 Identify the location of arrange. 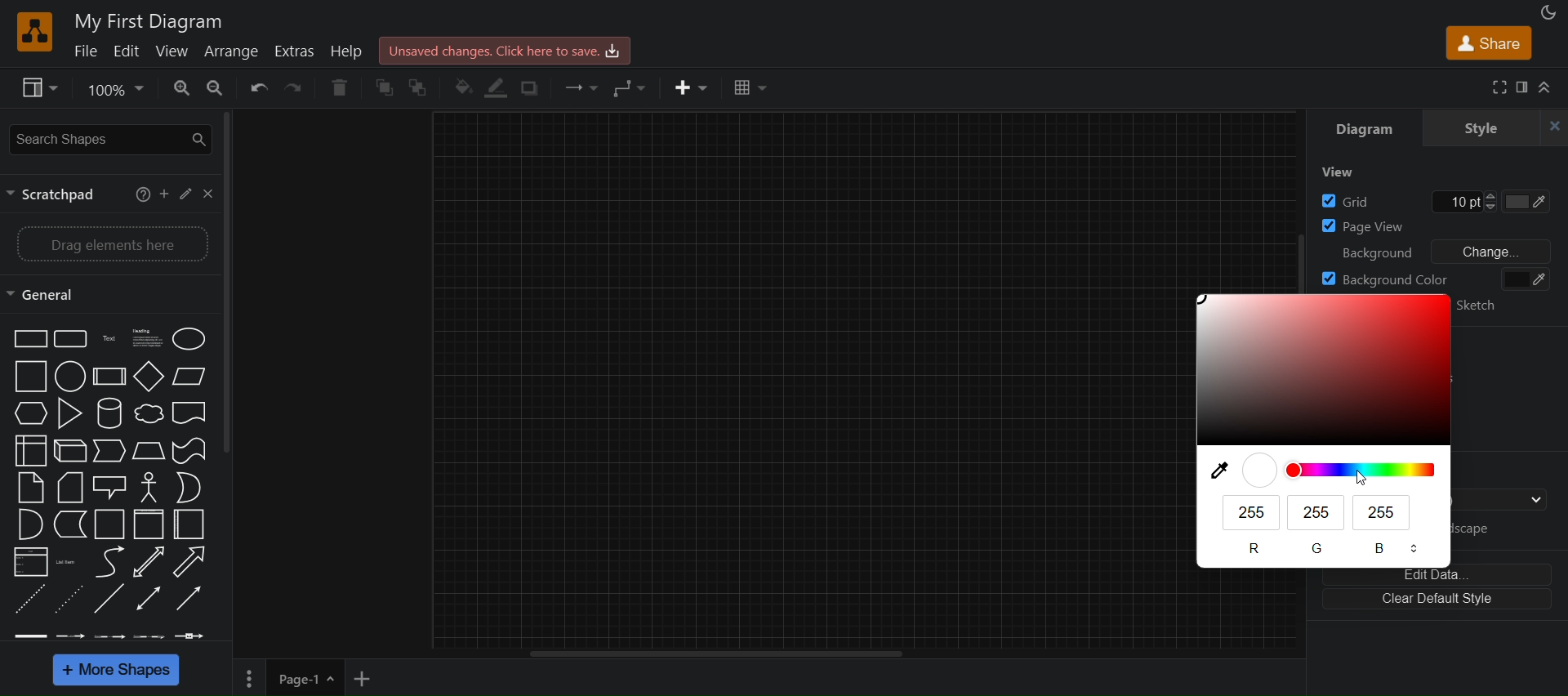
(236, 53).